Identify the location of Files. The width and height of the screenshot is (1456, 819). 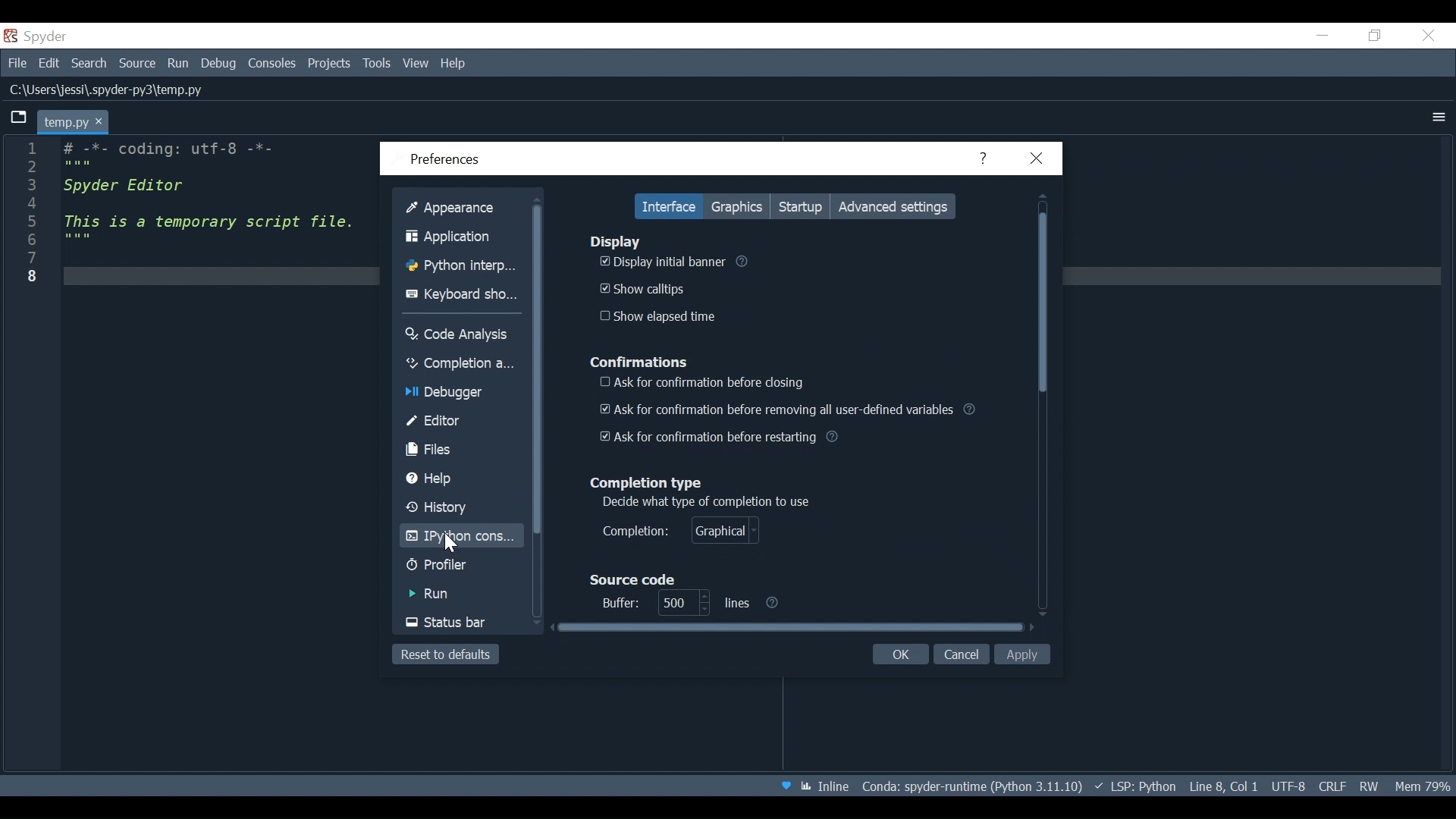
(460, 450).